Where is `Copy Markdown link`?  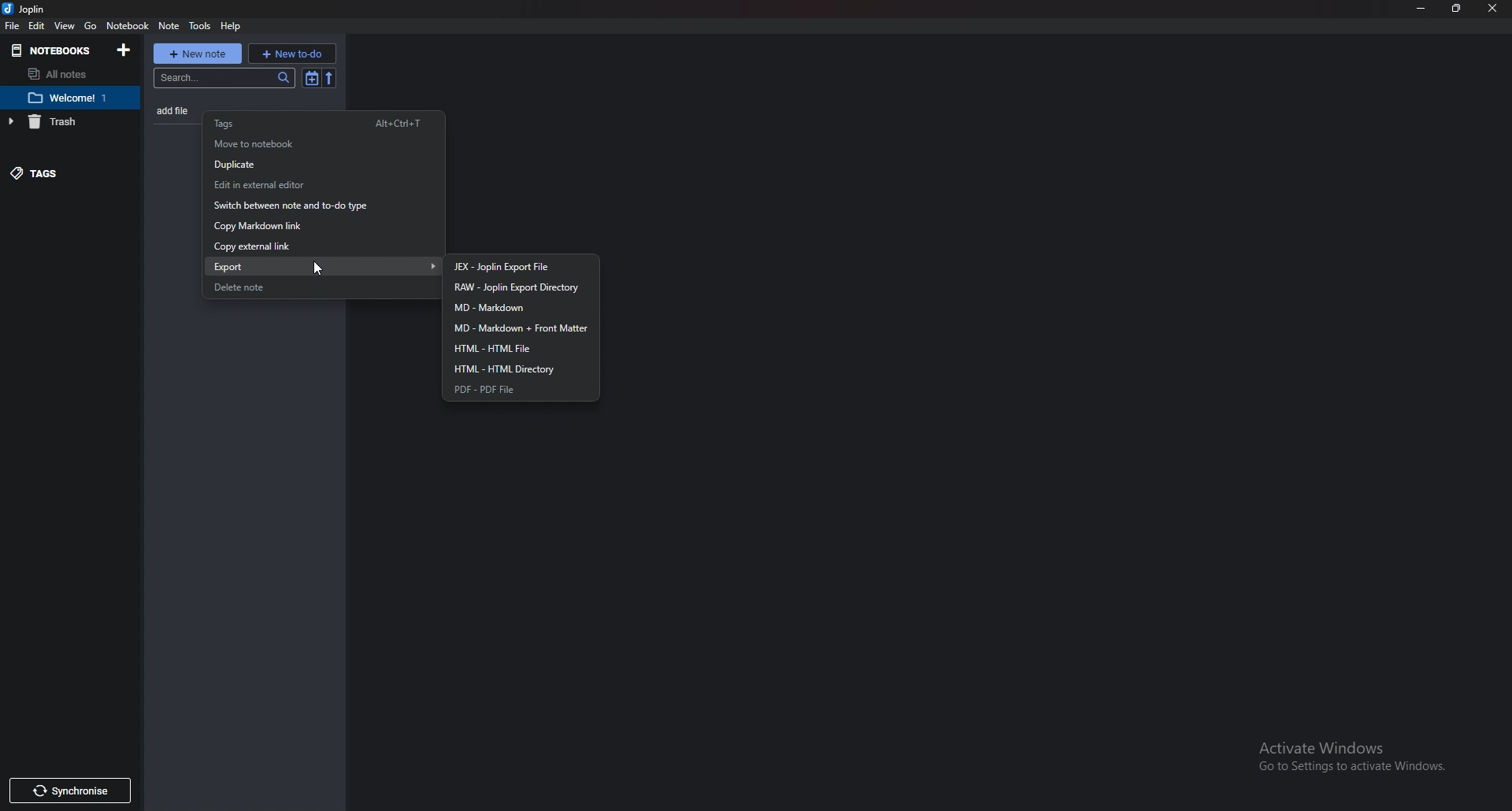
Copy Markdown link is located at coordinates (309, 226).